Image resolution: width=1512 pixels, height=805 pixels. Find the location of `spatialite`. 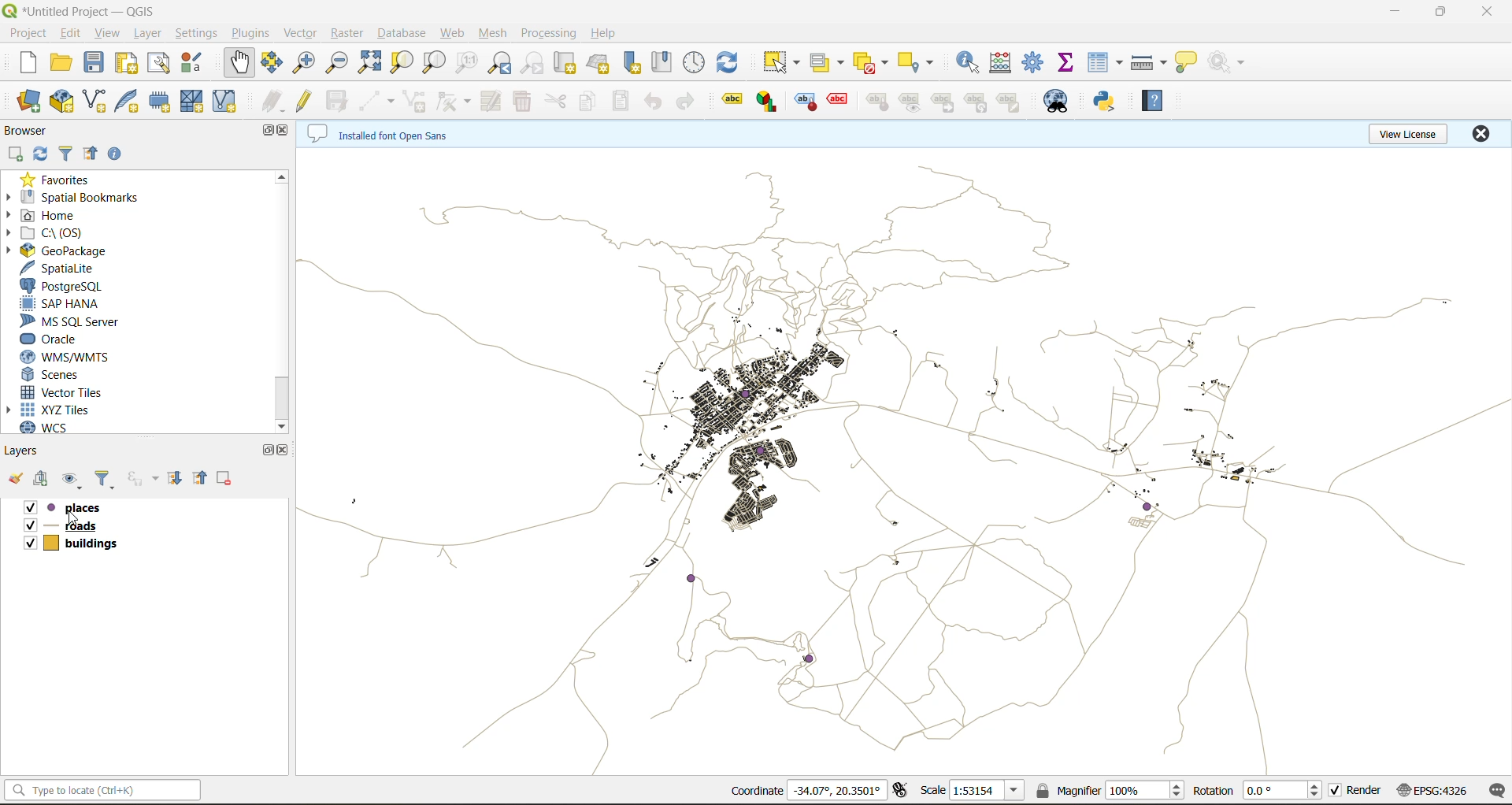

spatialite is located at coordinates (76, 269).